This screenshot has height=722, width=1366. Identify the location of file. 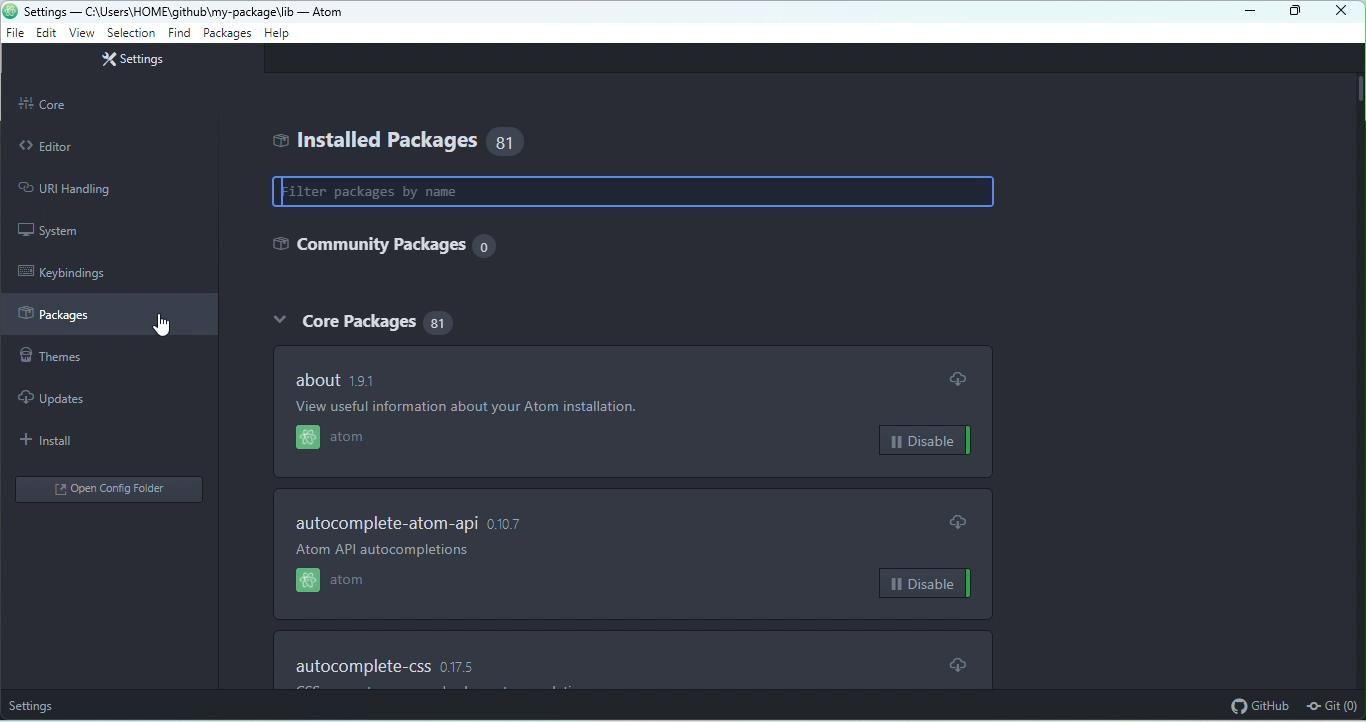
(15, 34).